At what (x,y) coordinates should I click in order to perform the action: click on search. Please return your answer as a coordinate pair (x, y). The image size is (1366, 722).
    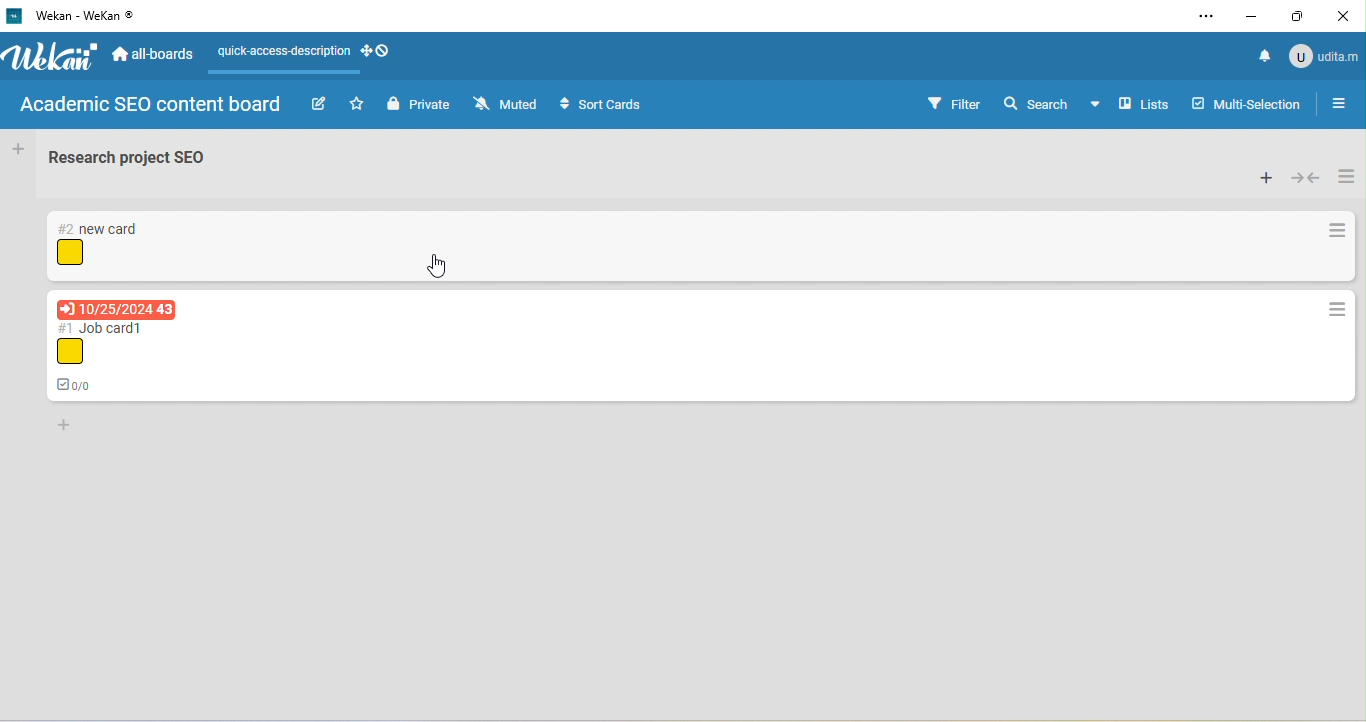
    Looking at the image, I should click on (1036, 102).